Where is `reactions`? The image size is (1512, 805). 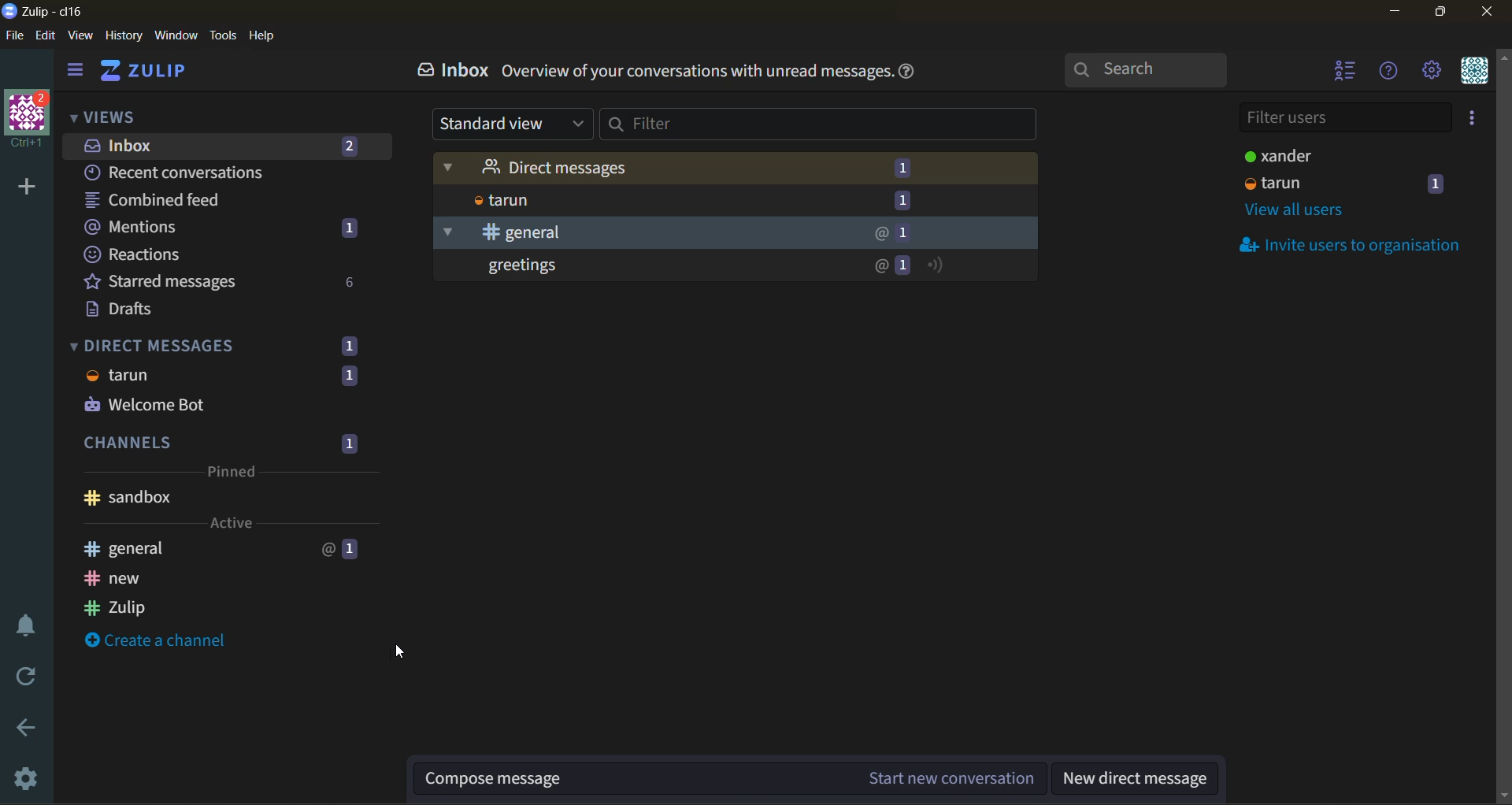 reactions is located at coordinates (187, 257).